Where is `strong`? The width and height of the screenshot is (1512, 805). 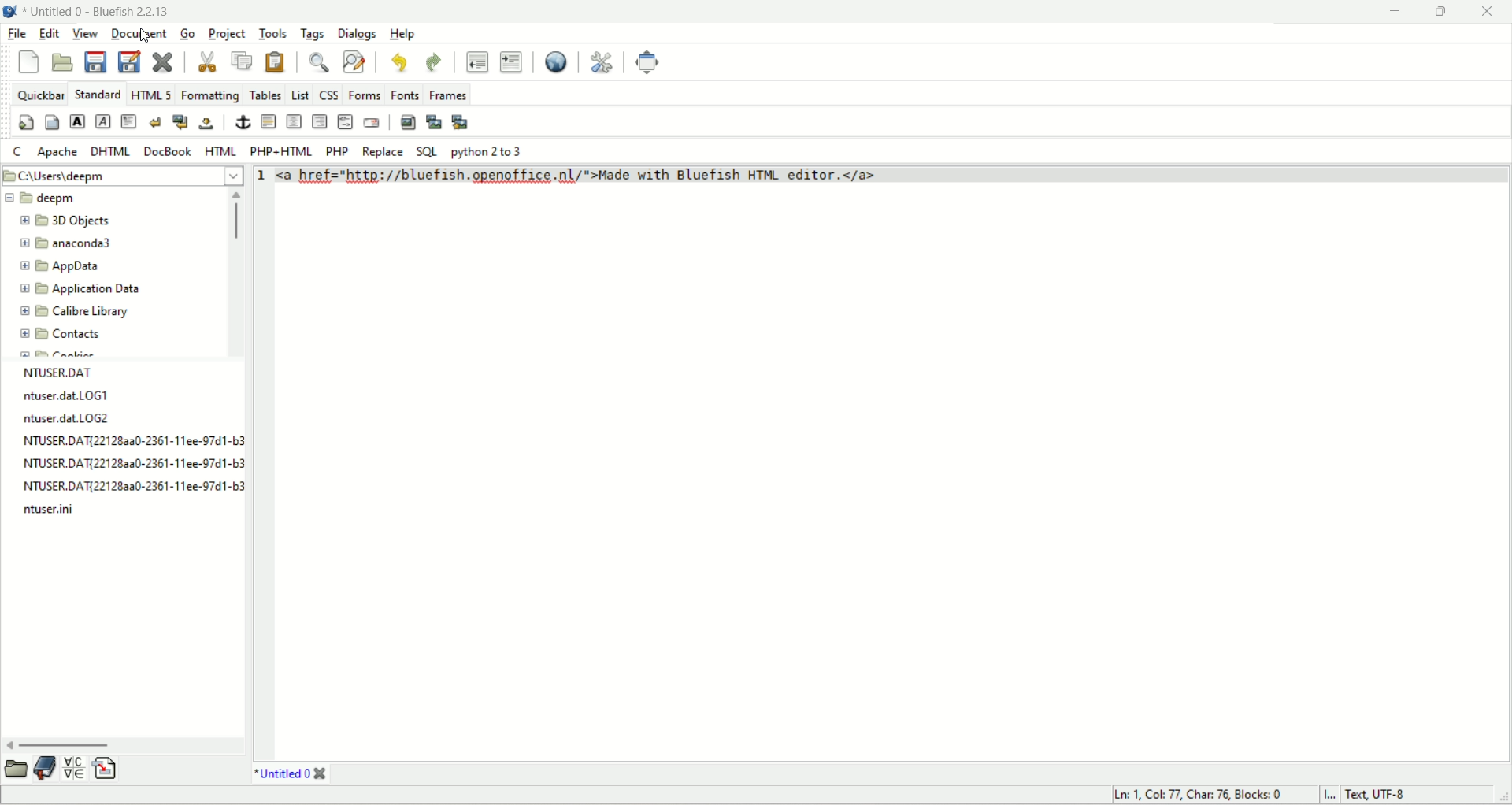
strong is located at coordinates (76, 121).